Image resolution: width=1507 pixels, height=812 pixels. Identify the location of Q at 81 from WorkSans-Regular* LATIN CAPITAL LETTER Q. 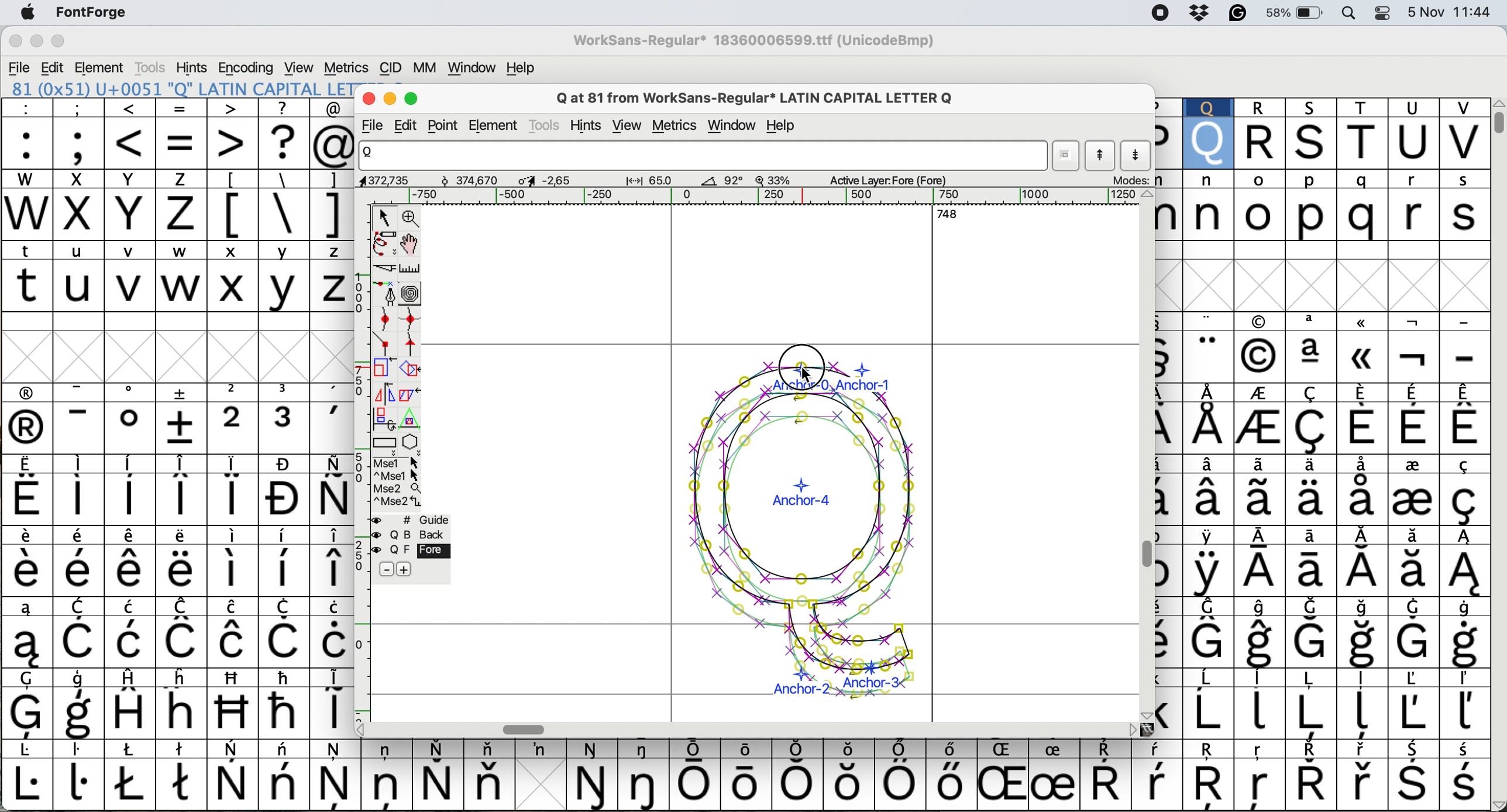
(748, 98).